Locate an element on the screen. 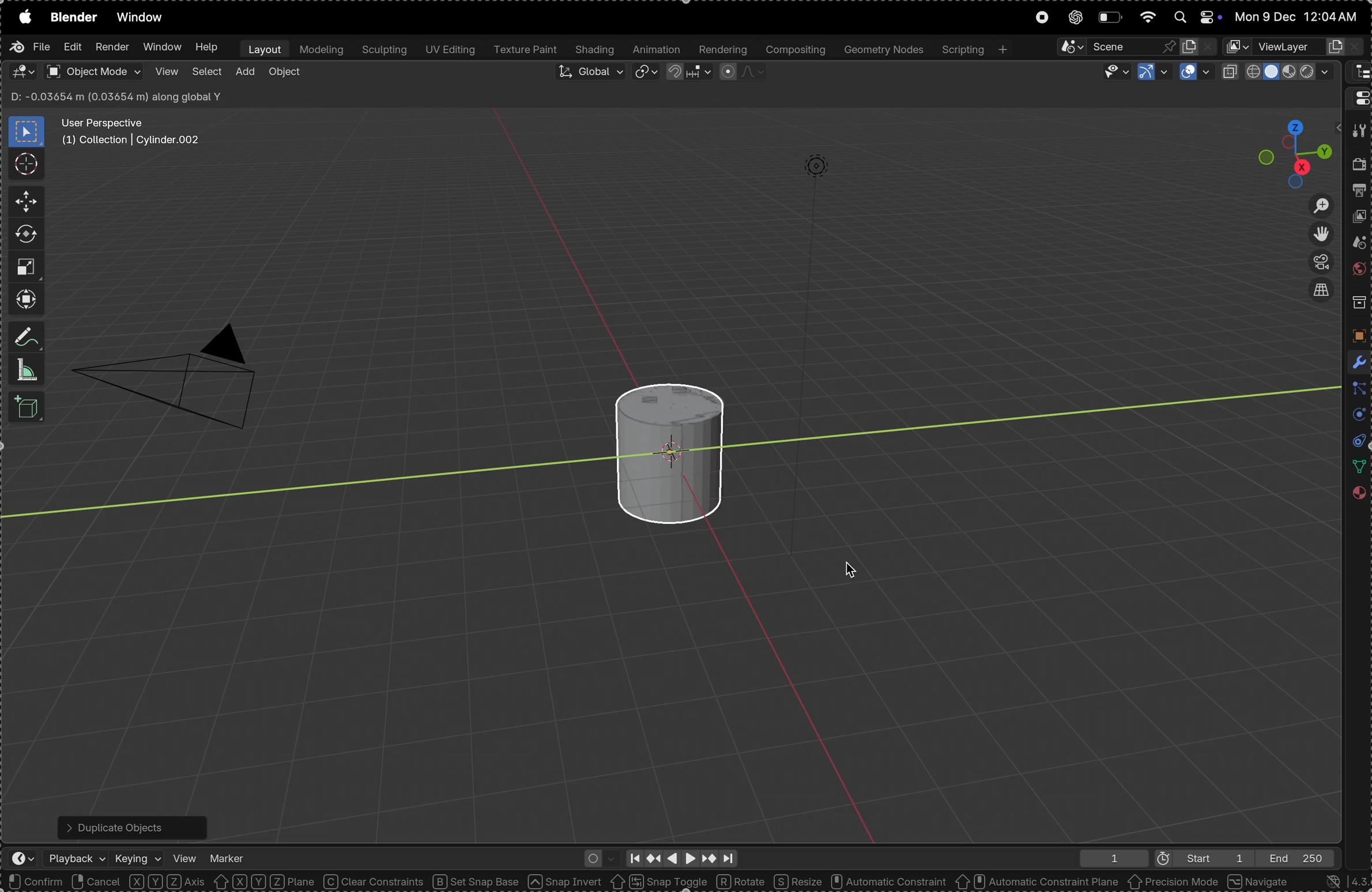 This screenshot has height=892, width=1372. show overlays is located at coordinates (1195, 73).